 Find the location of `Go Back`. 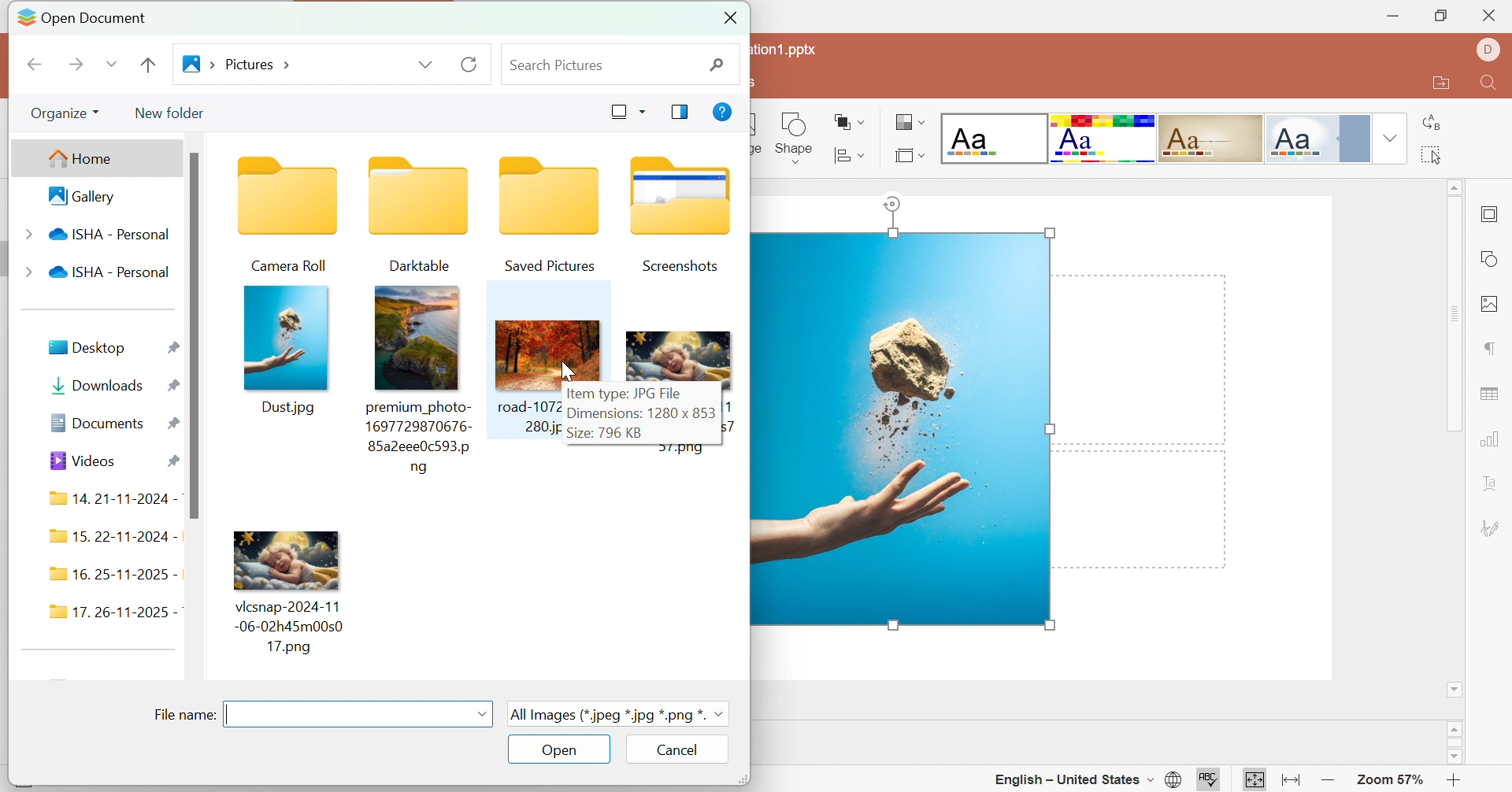

Go Back is located at coordinates (150, 65).